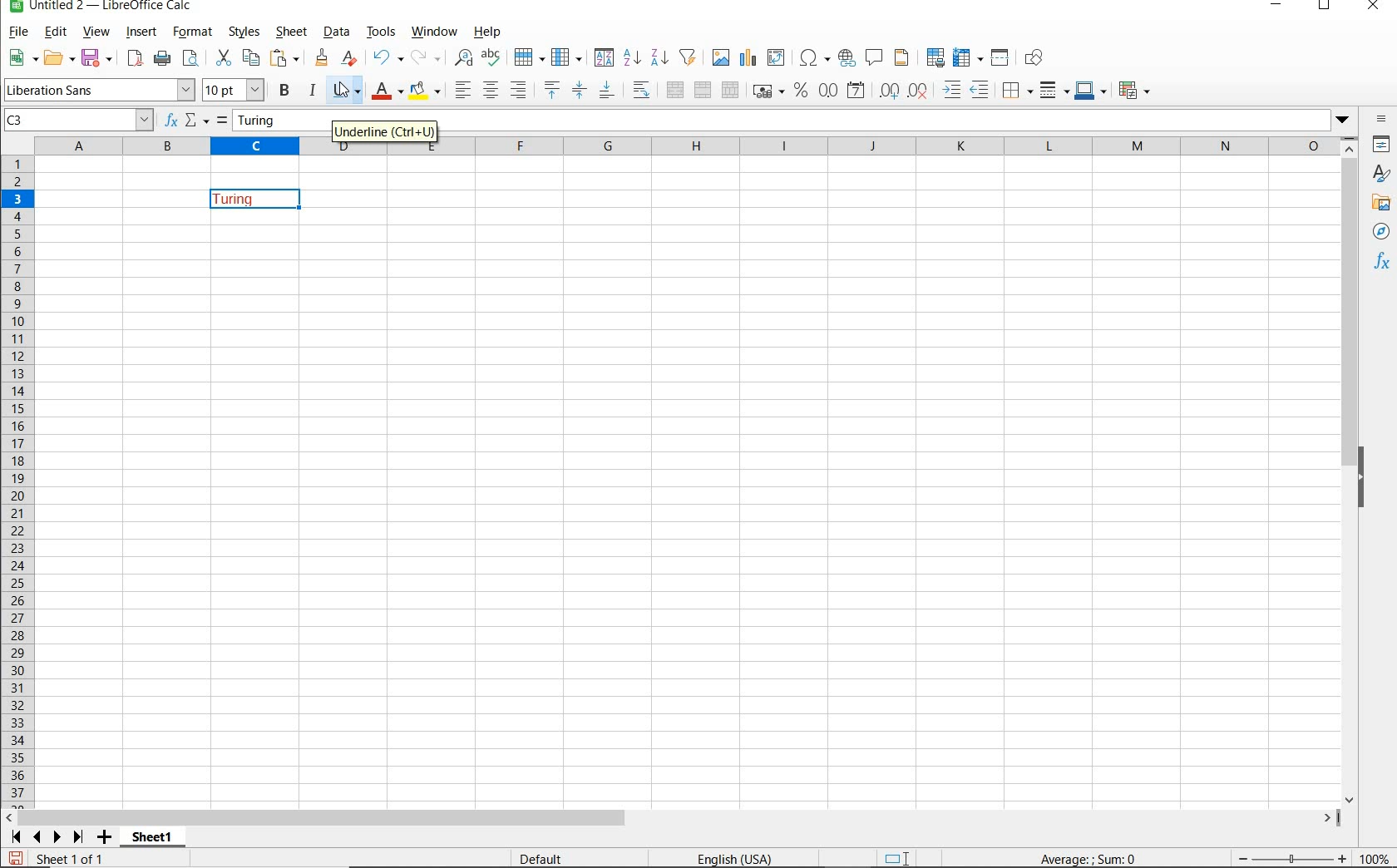 This screenshot has height=868, width=1397. I want to click on STANDARD SELECTION, so click(896, 859).